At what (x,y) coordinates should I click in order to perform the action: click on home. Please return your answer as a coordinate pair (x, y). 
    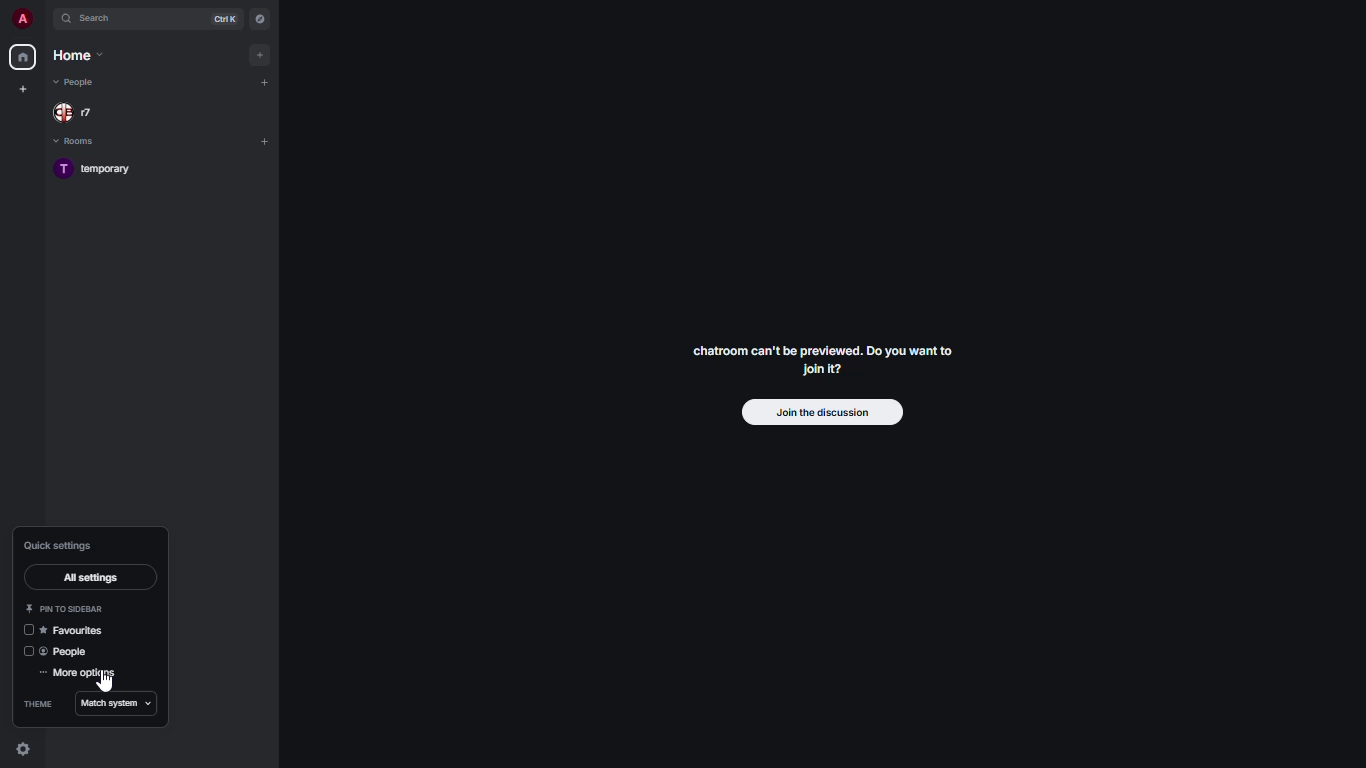
    Looking at the image, I should click on (24, 55).